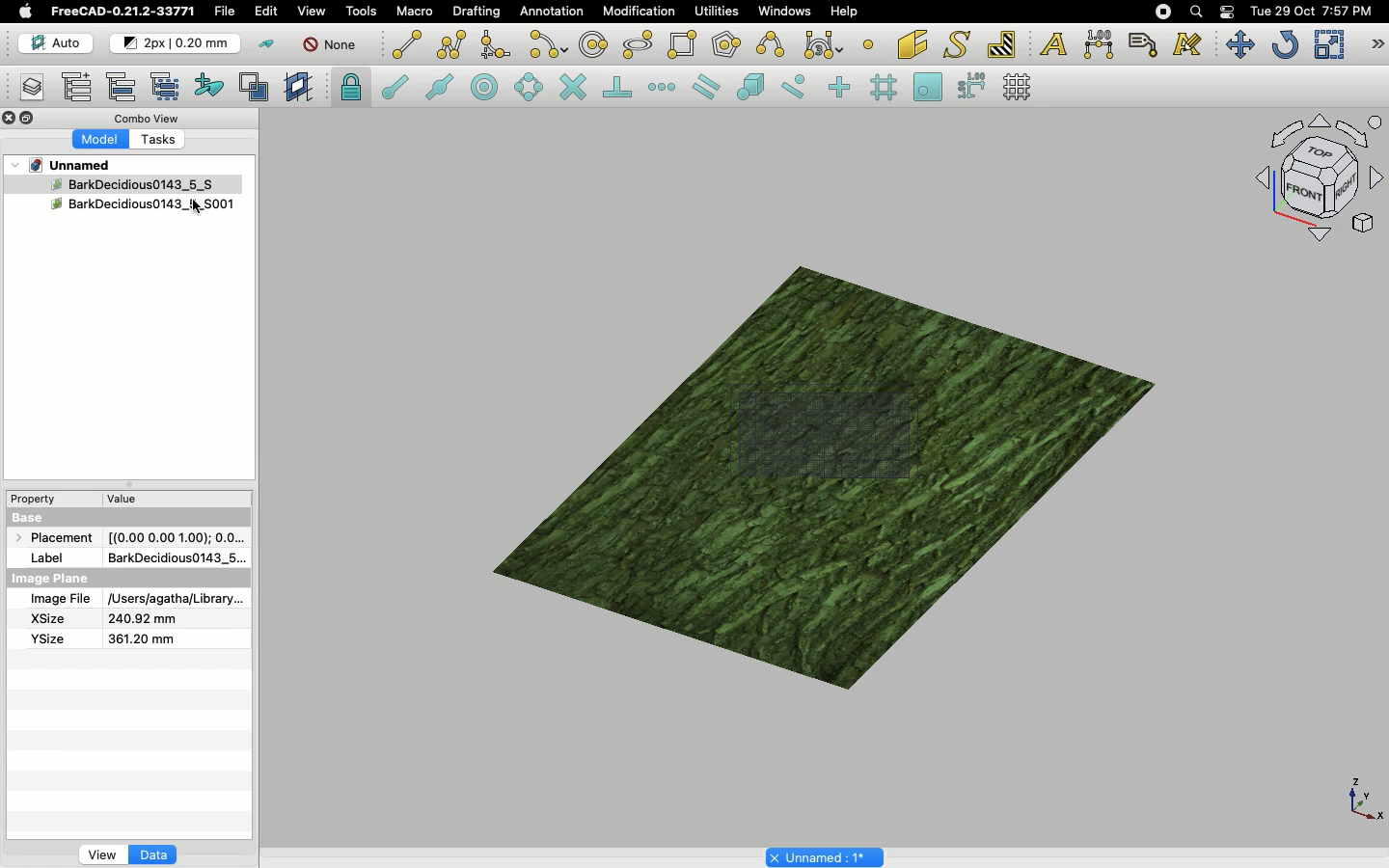 Image resolution: width=1389 pixels, height=868 pixels. What do you see at coordinates (361, 12) in the screenshot?
I see `Tools` at bounding box center [361, 12].